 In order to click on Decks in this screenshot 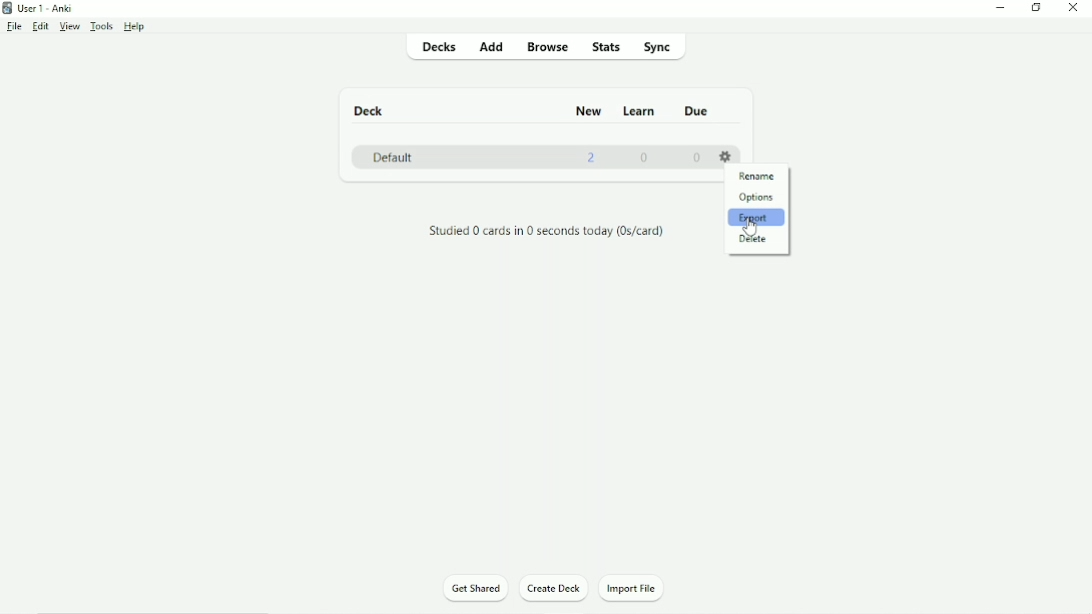, I will do `click(435, 46)`.